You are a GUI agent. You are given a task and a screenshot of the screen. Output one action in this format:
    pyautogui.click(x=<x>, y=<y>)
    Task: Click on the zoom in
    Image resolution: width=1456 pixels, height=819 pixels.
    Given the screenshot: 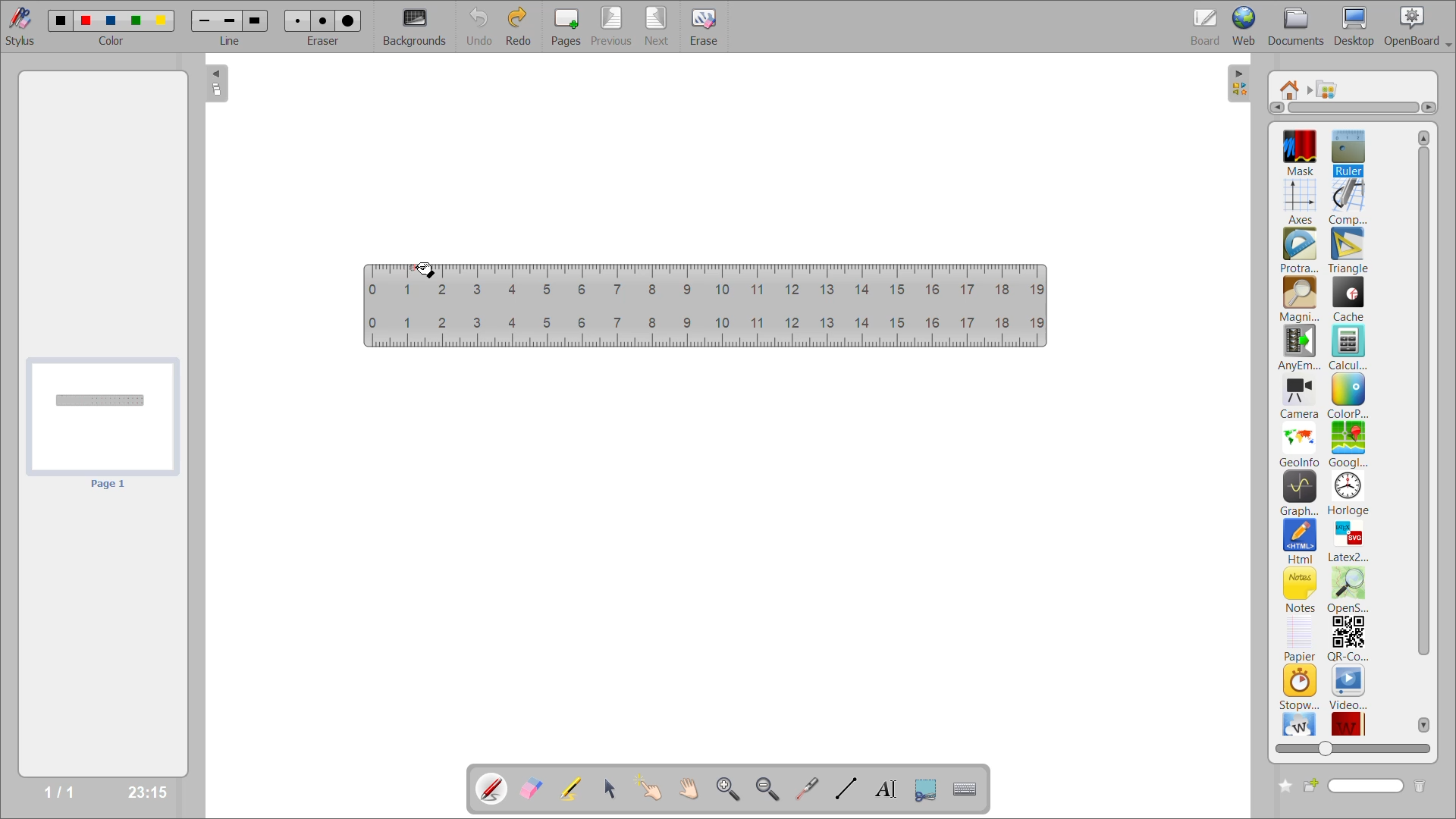 What is the action you would take?
    pyautogui.click(x=731, y=789)
    